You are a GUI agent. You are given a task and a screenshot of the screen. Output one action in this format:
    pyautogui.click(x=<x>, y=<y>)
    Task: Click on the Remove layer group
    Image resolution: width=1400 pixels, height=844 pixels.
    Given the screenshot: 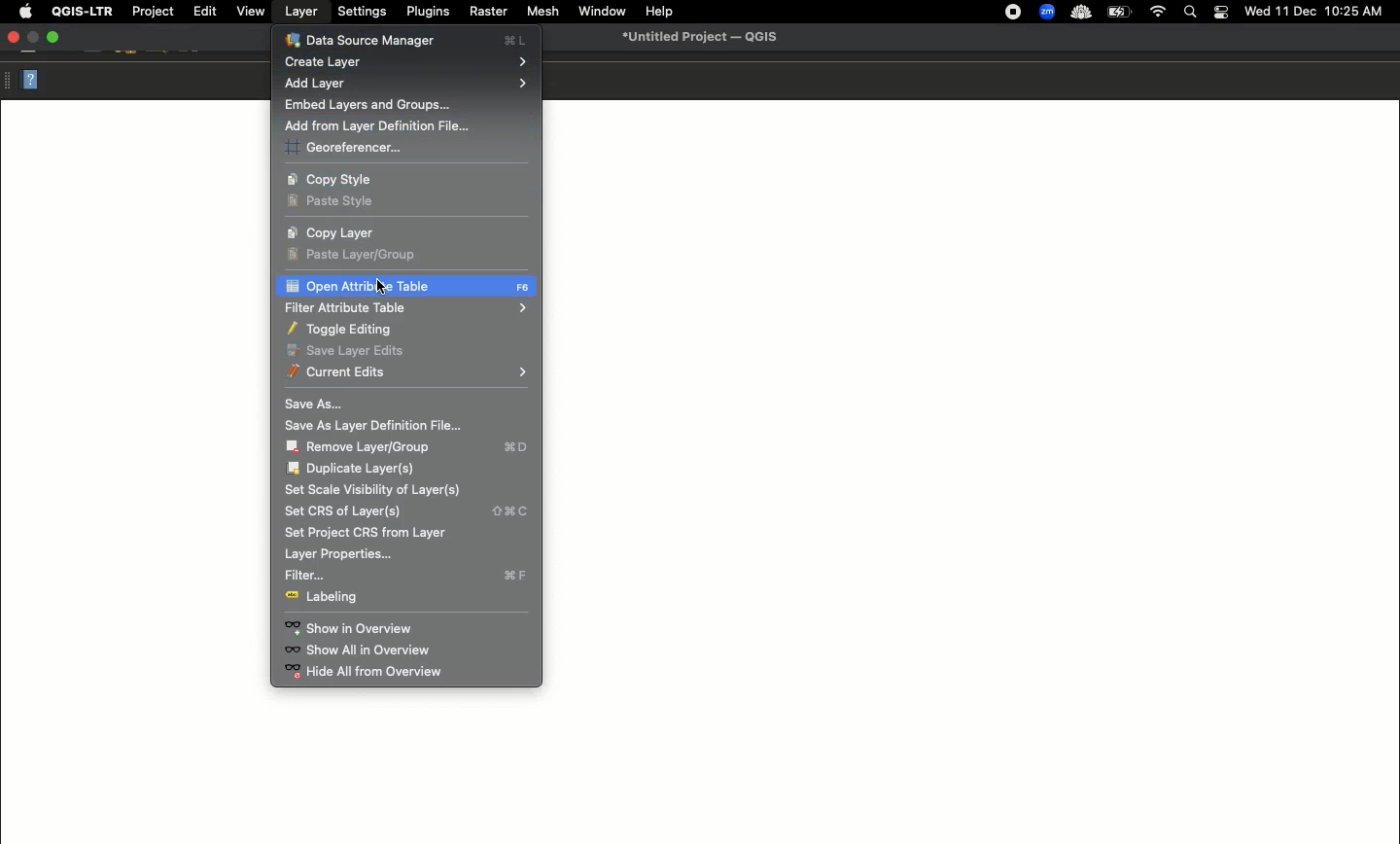 What is the action you would take?
    pyautogui.click(x=409, y=447)
    